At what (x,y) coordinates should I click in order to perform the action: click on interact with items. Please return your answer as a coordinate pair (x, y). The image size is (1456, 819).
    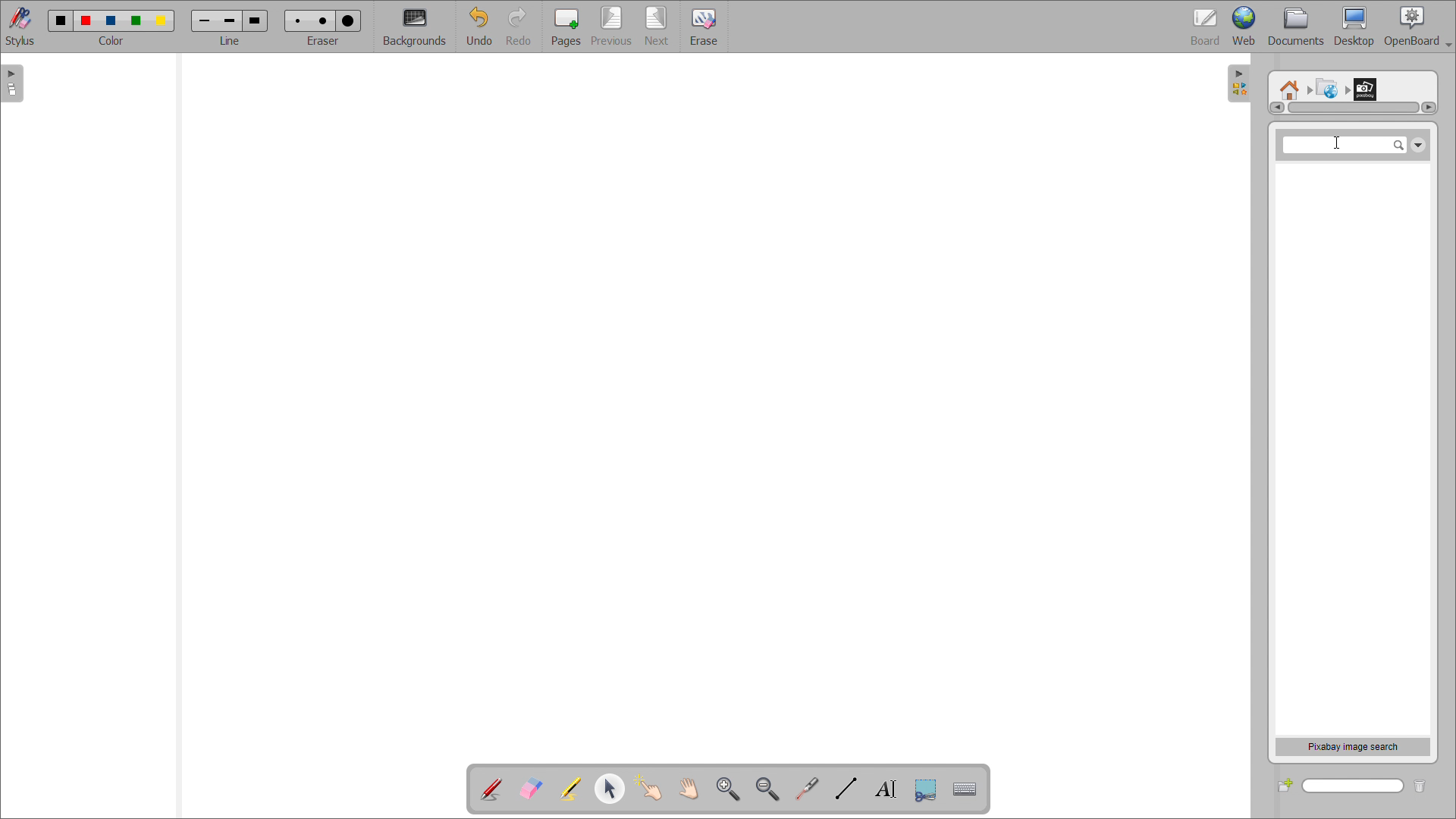
    Looking at the image, I should click on (649, 788).